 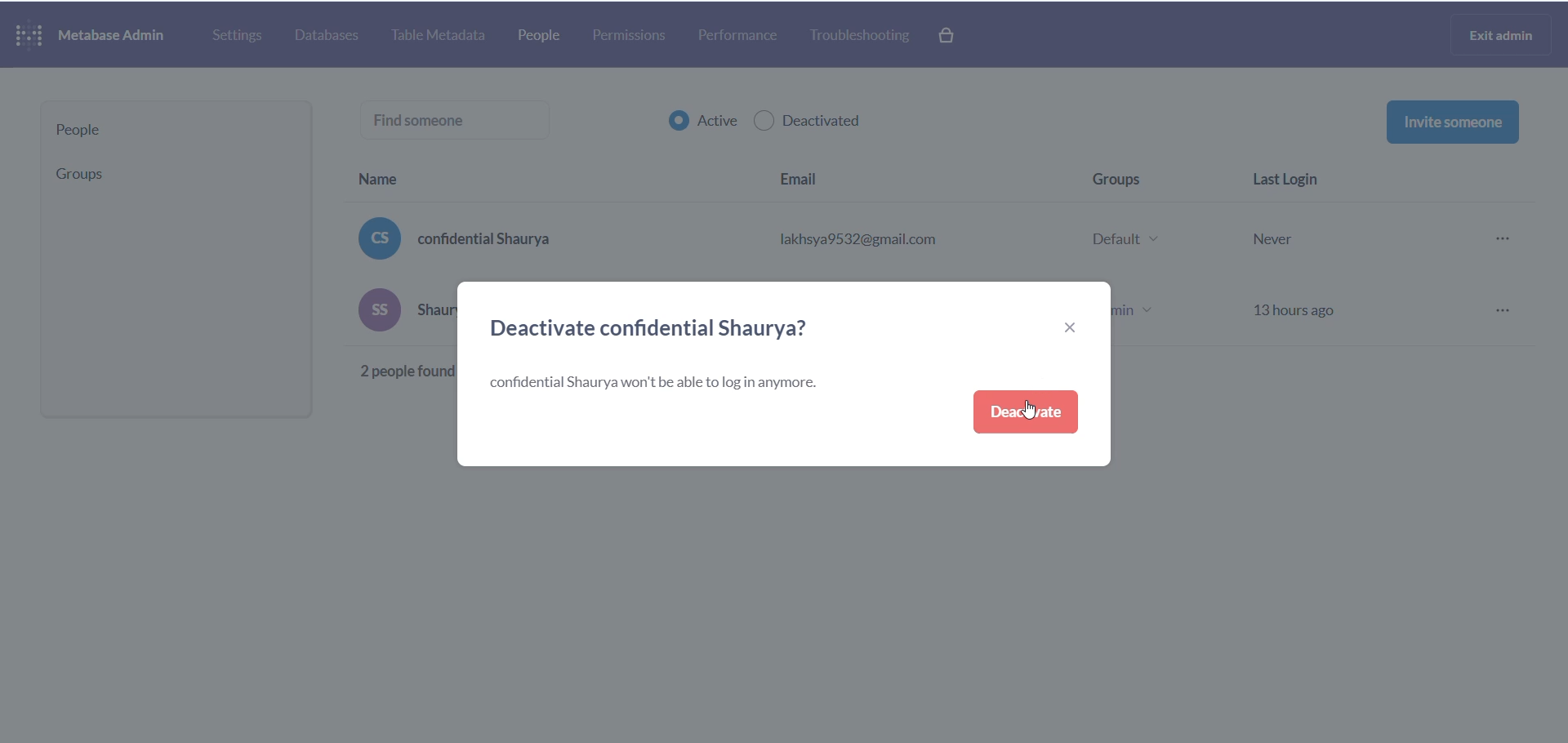 What do you see at coordinates (150, 135) in the screenshot?
I see `people` at bounding box center [150, 135].